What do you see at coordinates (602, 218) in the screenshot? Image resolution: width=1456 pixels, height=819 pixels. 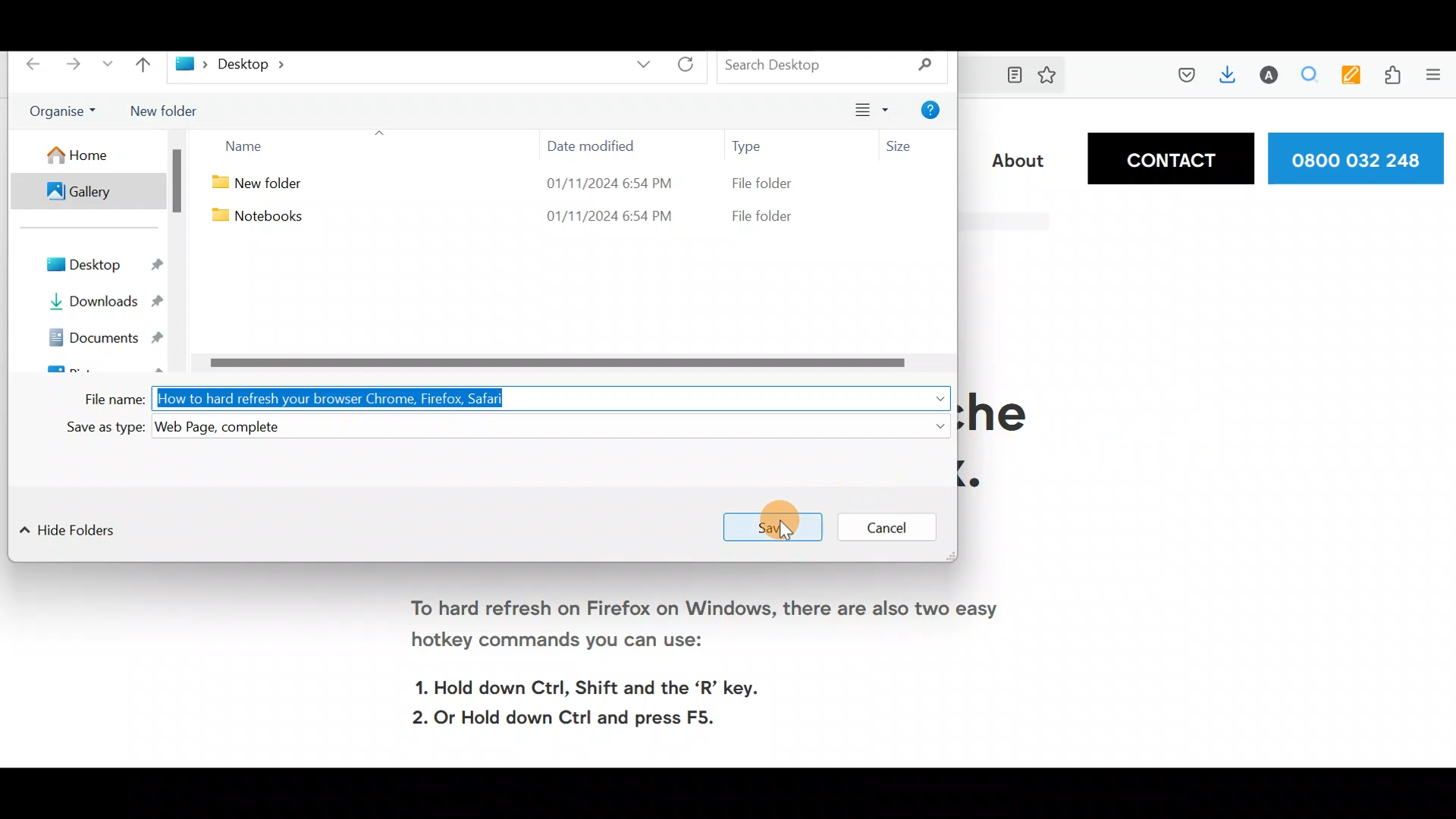 I see `01/11/2024 6:54 PM` at bounding box center [602, 218].